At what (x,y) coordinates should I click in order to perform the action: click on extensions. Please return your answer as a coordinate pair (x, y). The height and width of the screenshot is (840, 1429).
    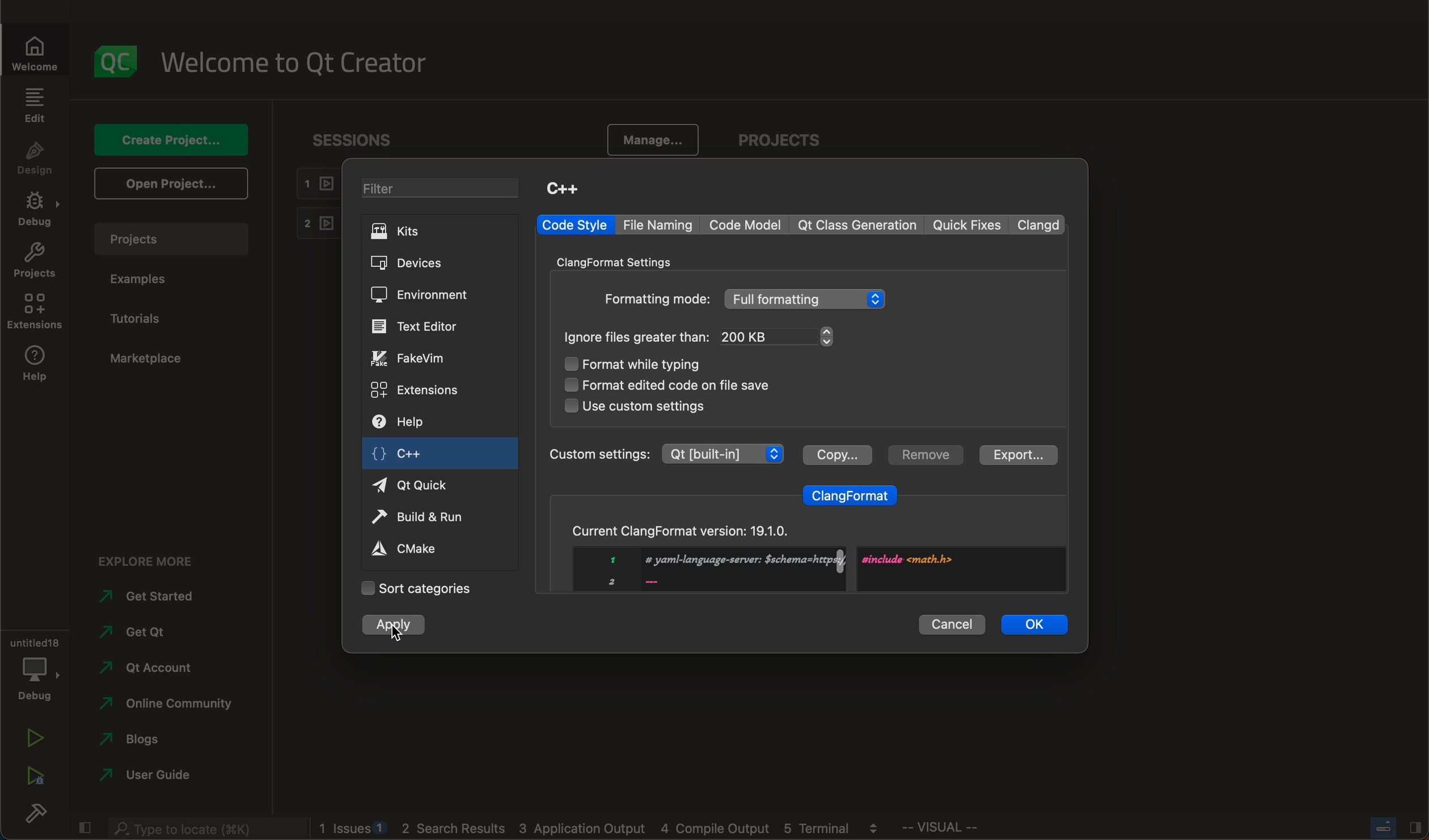
    Looking at the image, I should click on (34, 312).